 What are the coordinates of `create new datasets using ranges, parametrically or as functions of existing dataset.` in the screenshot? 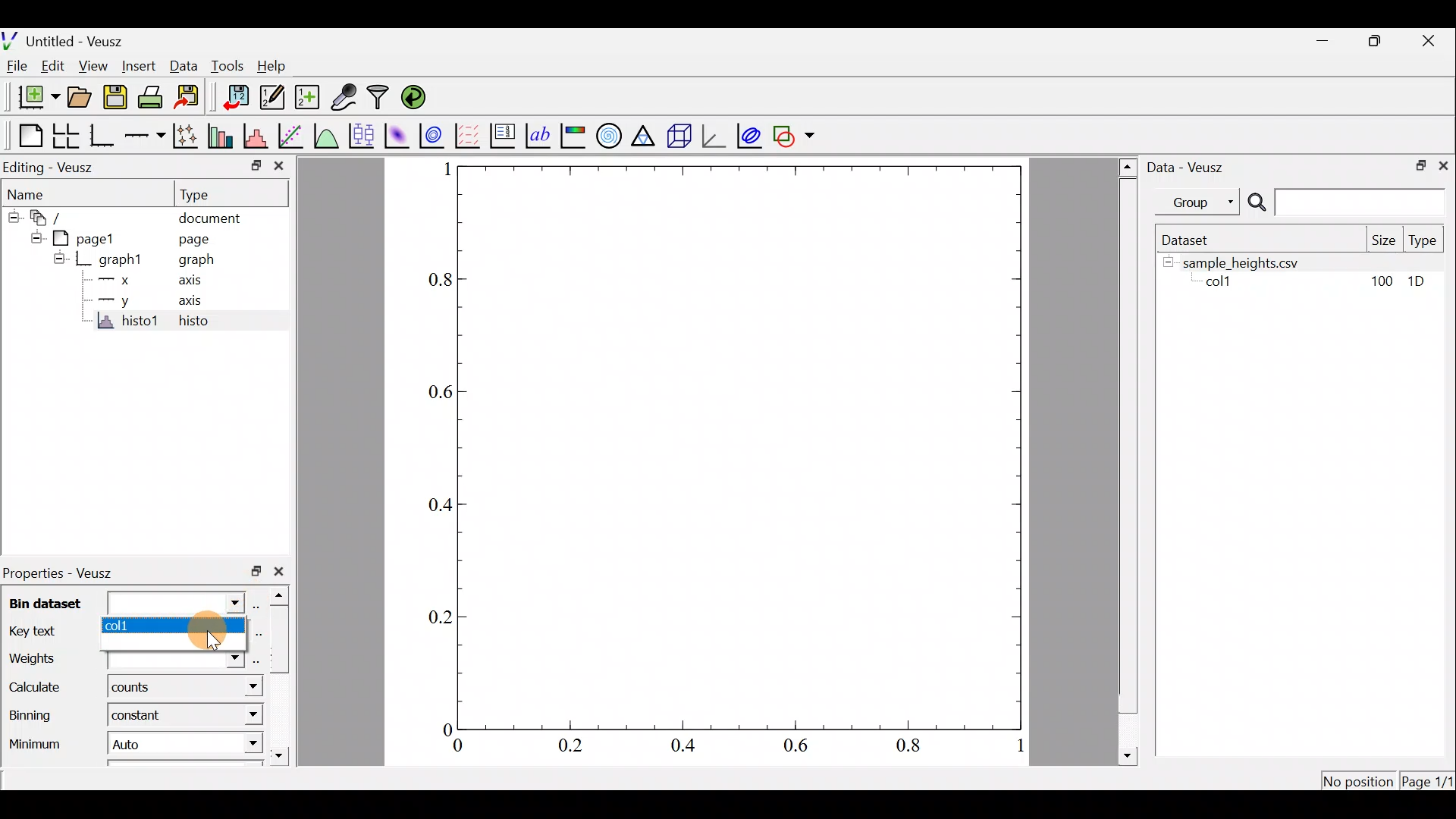 It's located at (306, 96).